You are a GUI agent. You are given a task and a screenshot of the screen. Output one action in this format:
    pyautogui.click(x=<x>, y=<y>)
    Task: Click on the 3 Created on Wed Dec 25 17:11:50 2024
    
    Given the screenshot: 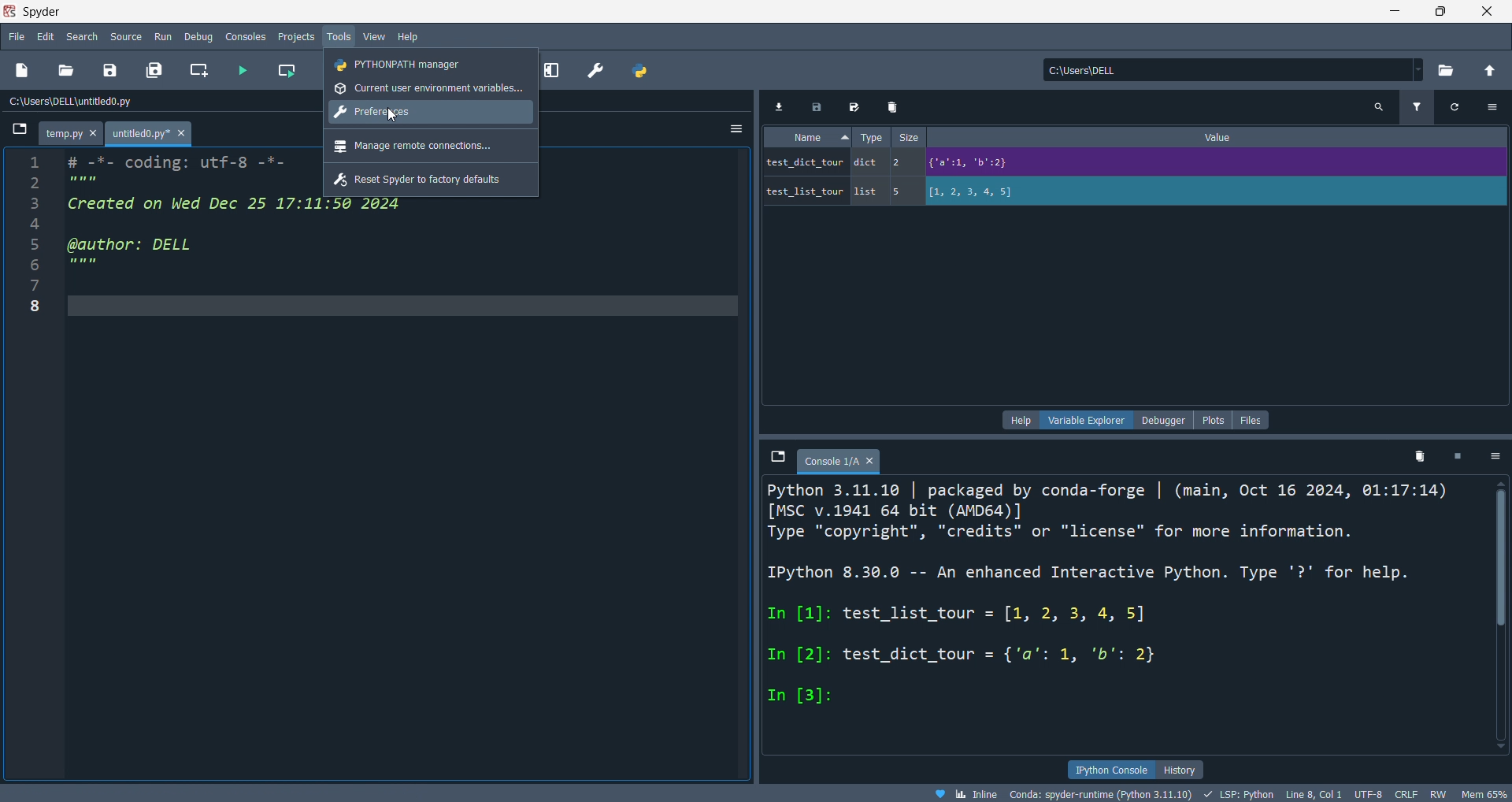 What is the action you would take?
    pyautogui.click(x=220, y=206)
    